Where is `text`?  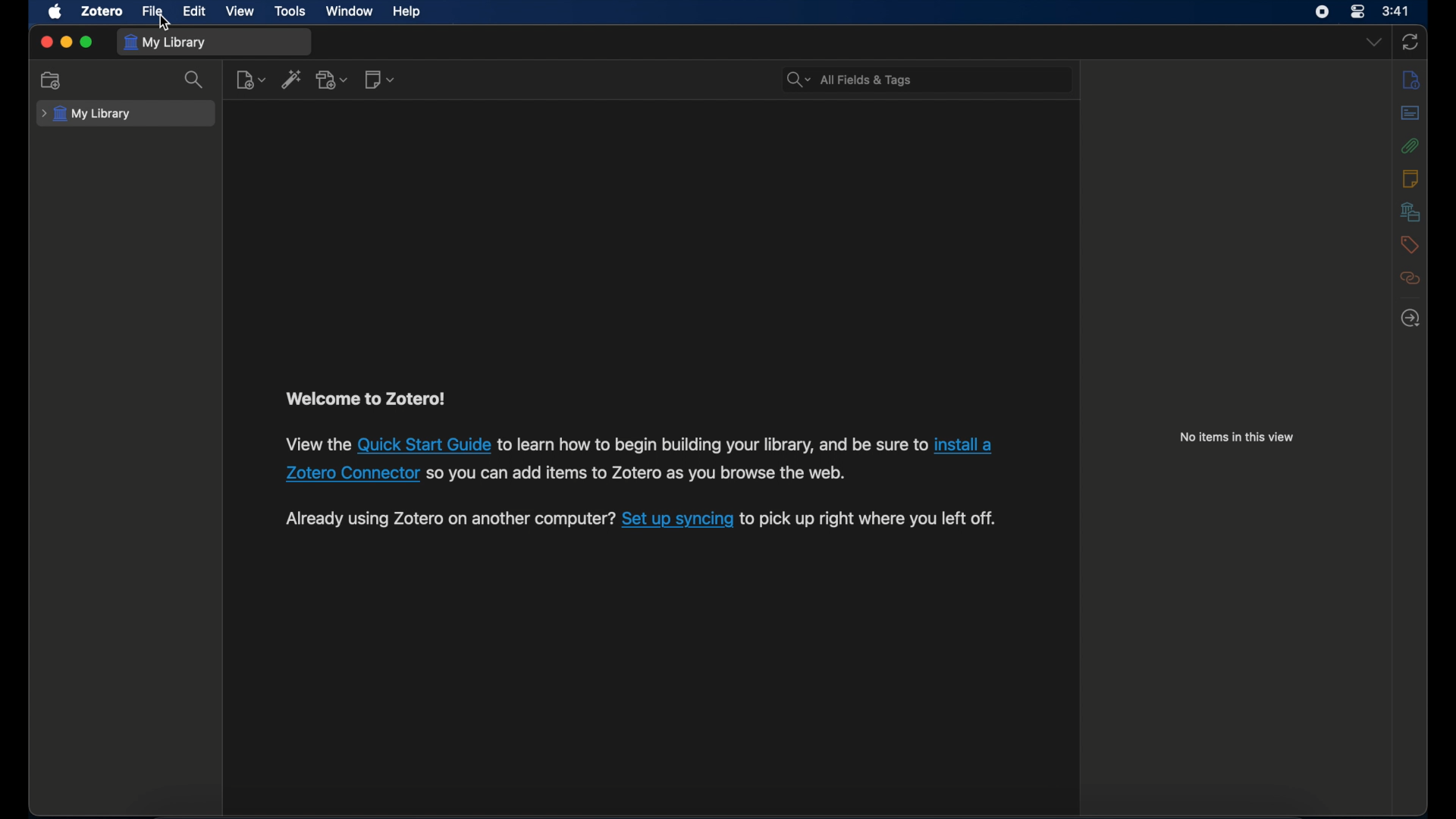 text is located at coordinates (372, 400).